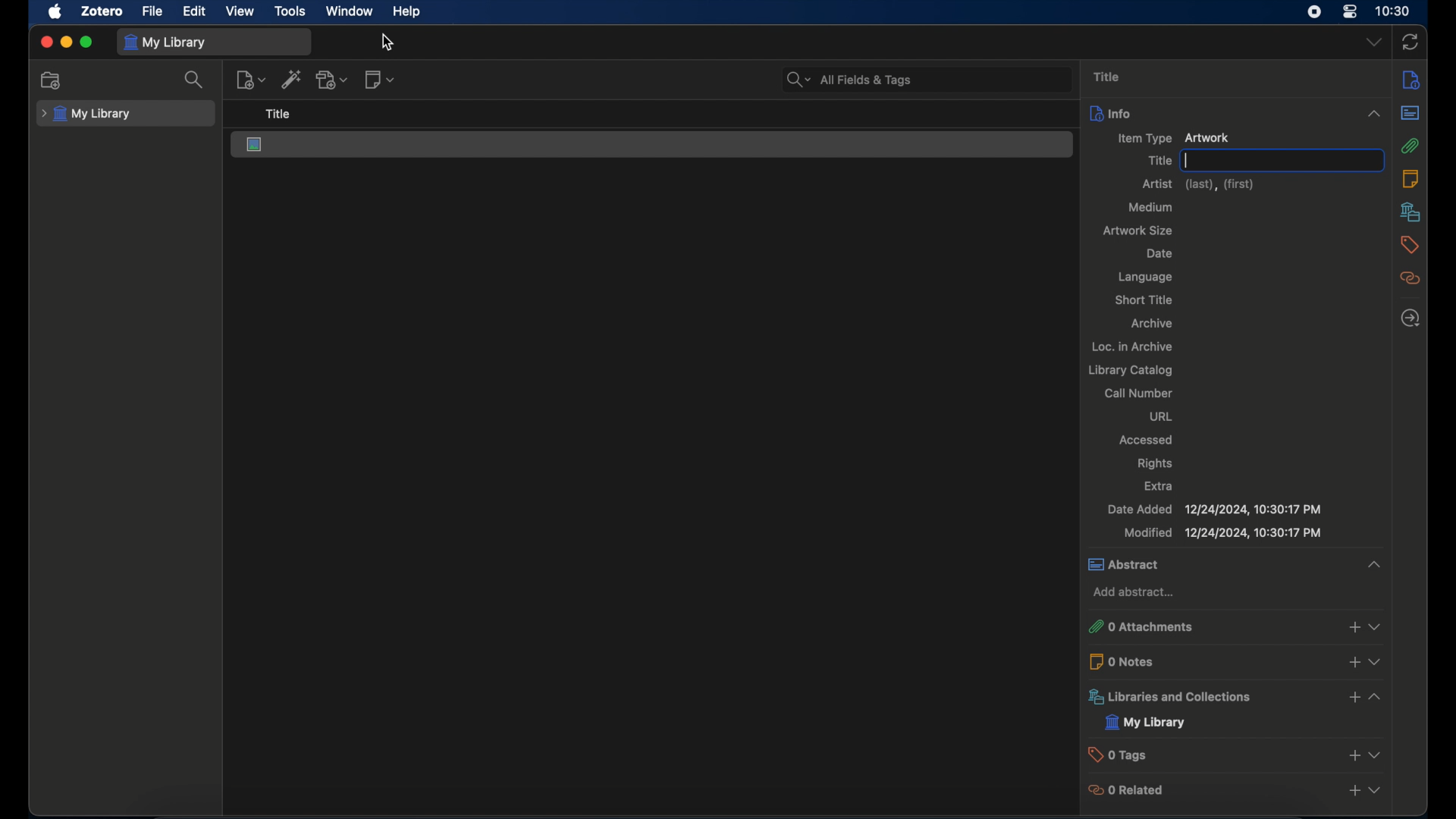  What do you see at coordinates (1147, 439) in the screenshot?
I see `accessed` at bounding box center [1147, 439].